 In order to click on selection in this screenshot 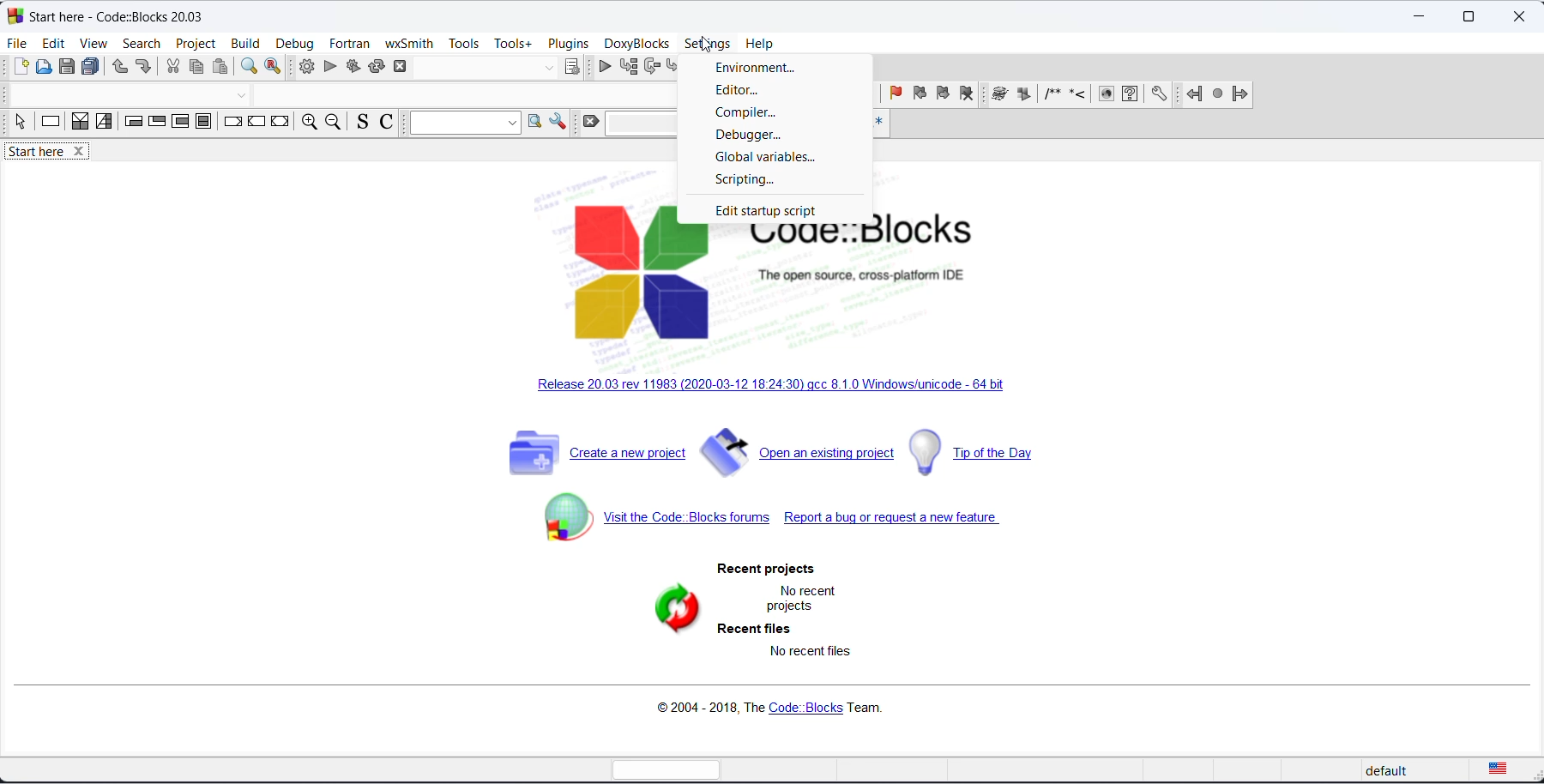, I will do `click(105, 122)`.